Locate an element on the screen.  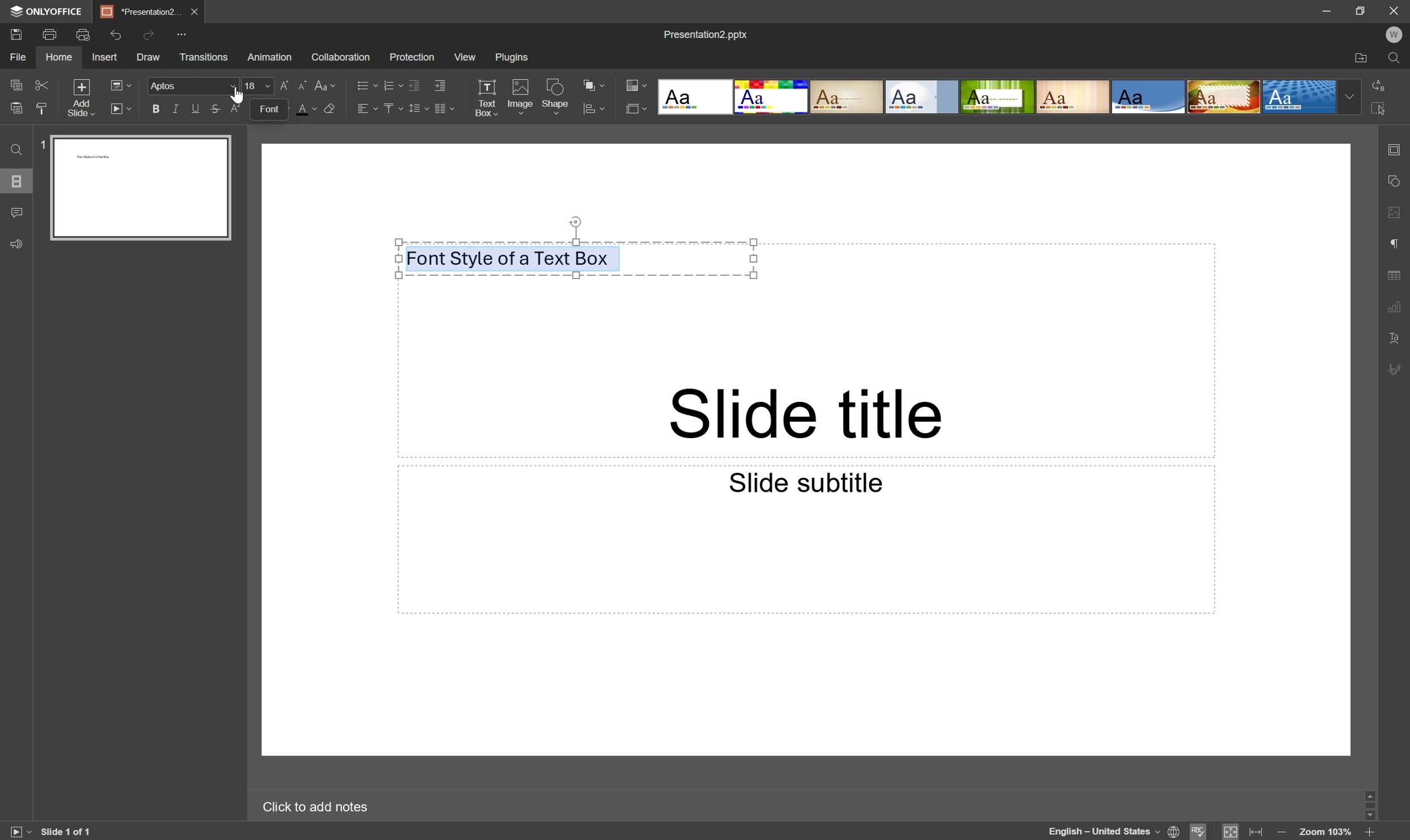
Cut is located at coordinates (43, 83).